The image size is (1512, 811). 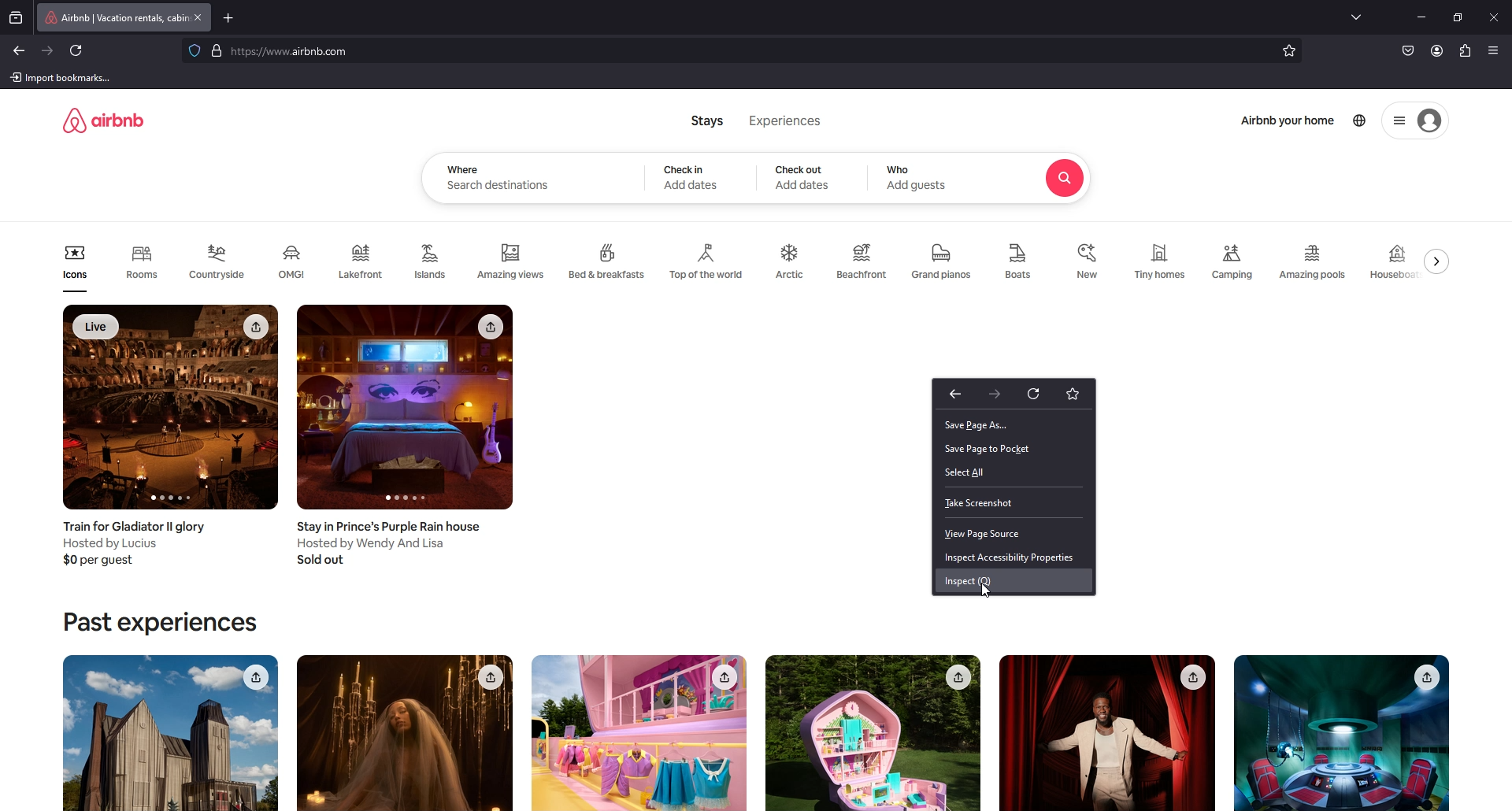 I want to click on Rooms, so click(x=141, y=267).